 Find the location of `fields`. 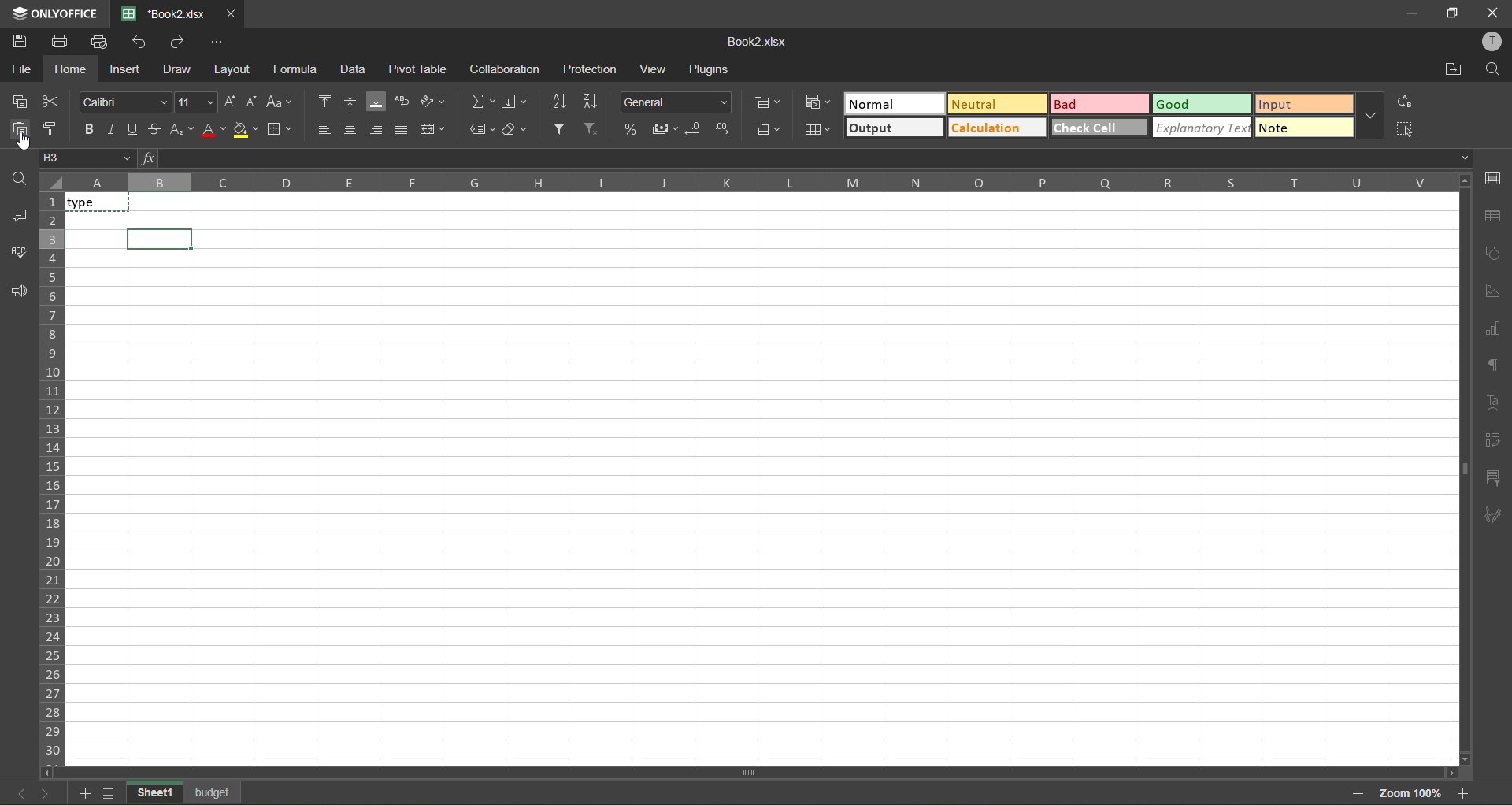

fields is located at coordinates (515, 101).